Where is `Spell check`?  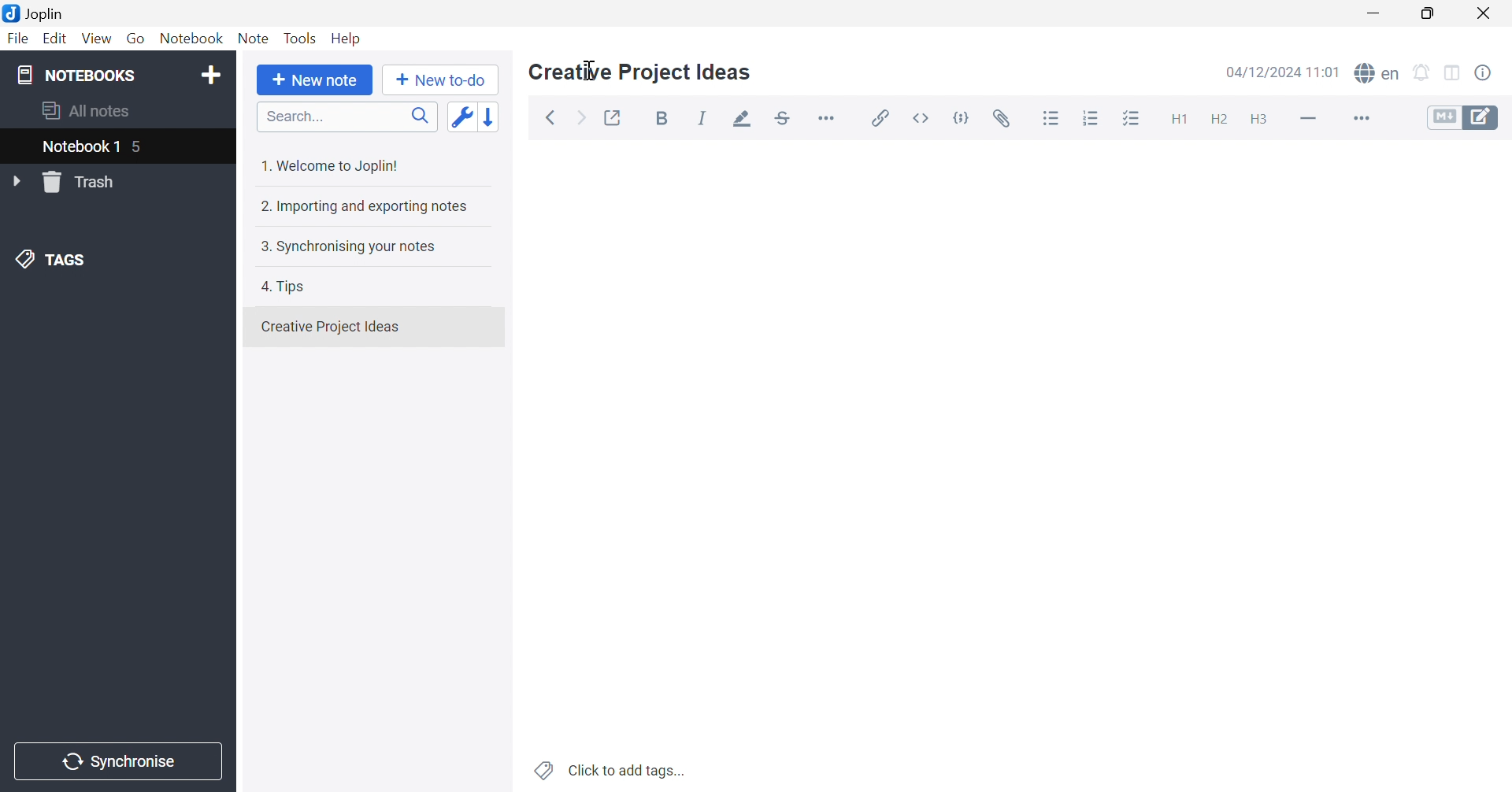 Spell check is located at coordinates (1378, 75).